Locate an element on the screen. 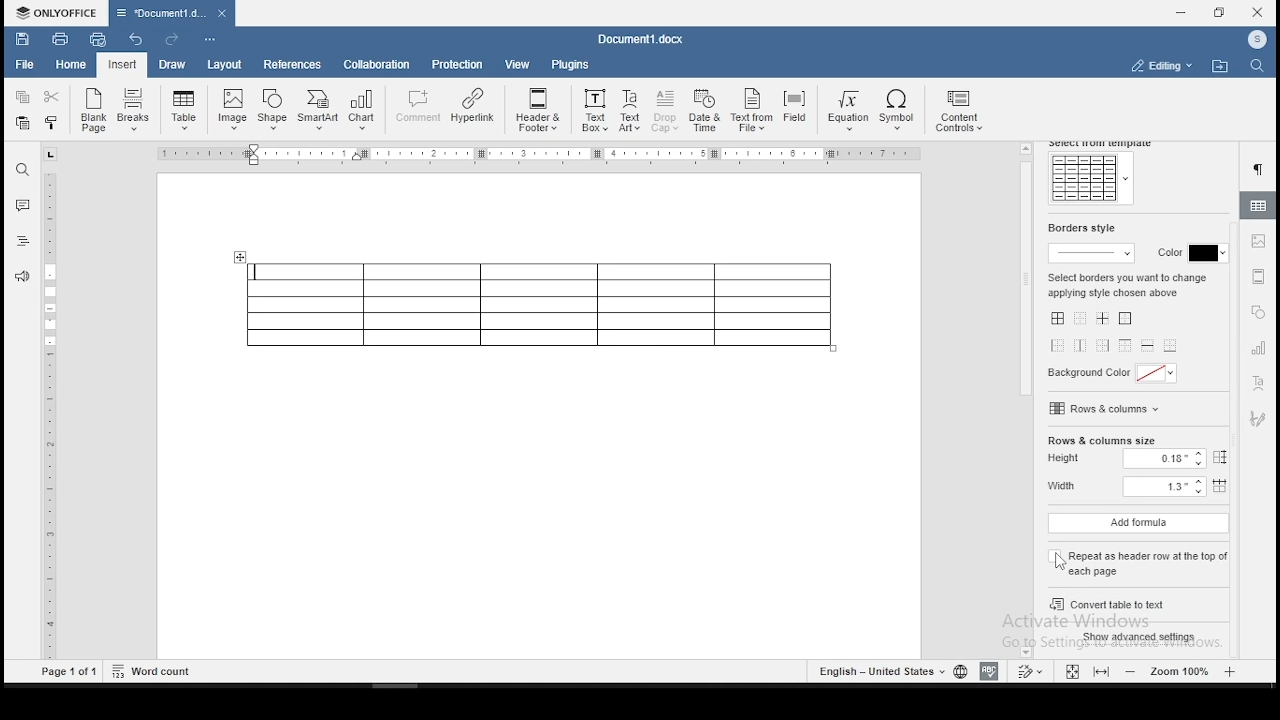 This screenshot has width=1280, height=720. restore is located at coordinates (1219, 13).